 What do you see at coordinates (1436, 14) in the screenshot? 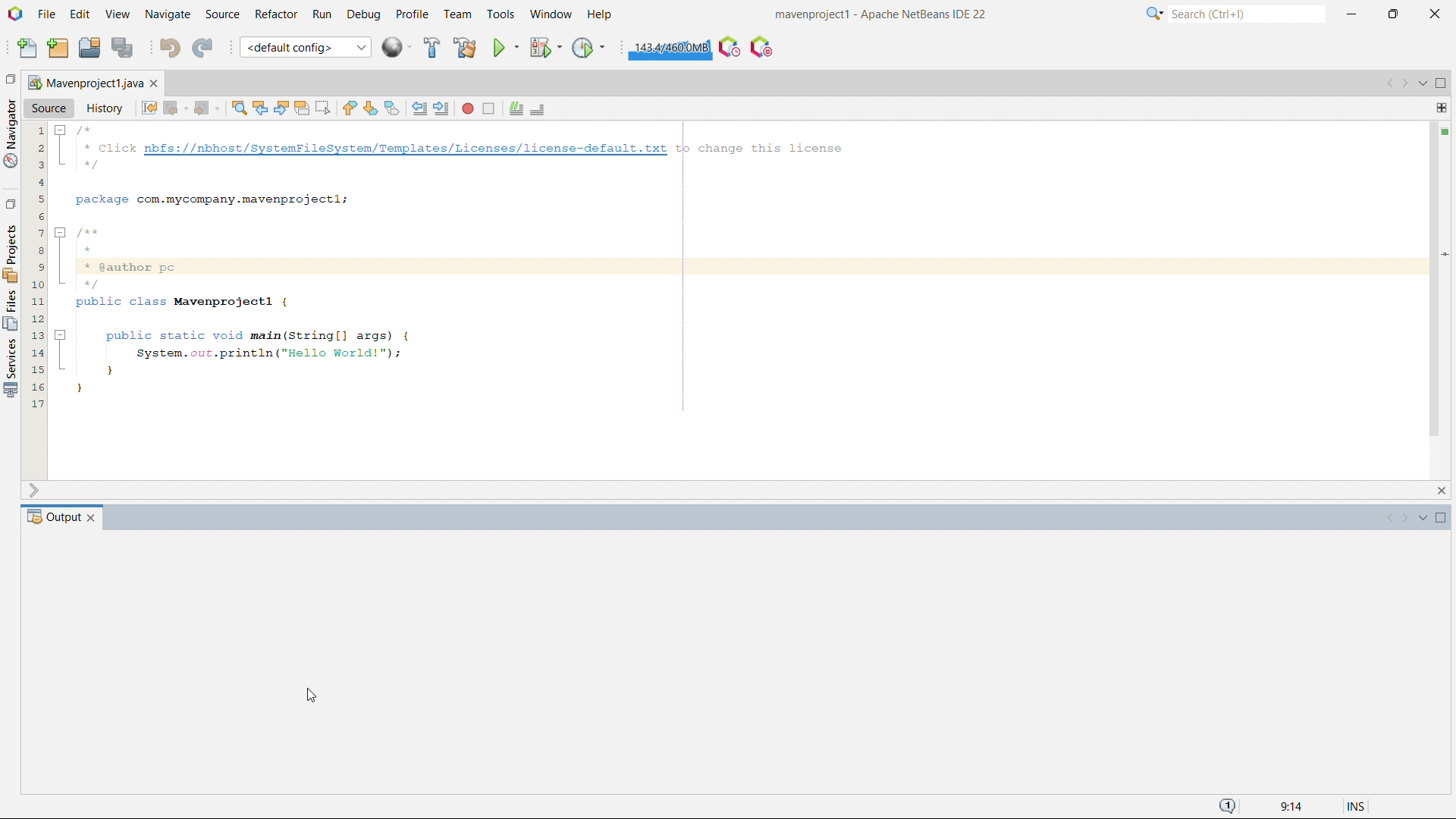
I see `close` at bounding box center [1436, 14].